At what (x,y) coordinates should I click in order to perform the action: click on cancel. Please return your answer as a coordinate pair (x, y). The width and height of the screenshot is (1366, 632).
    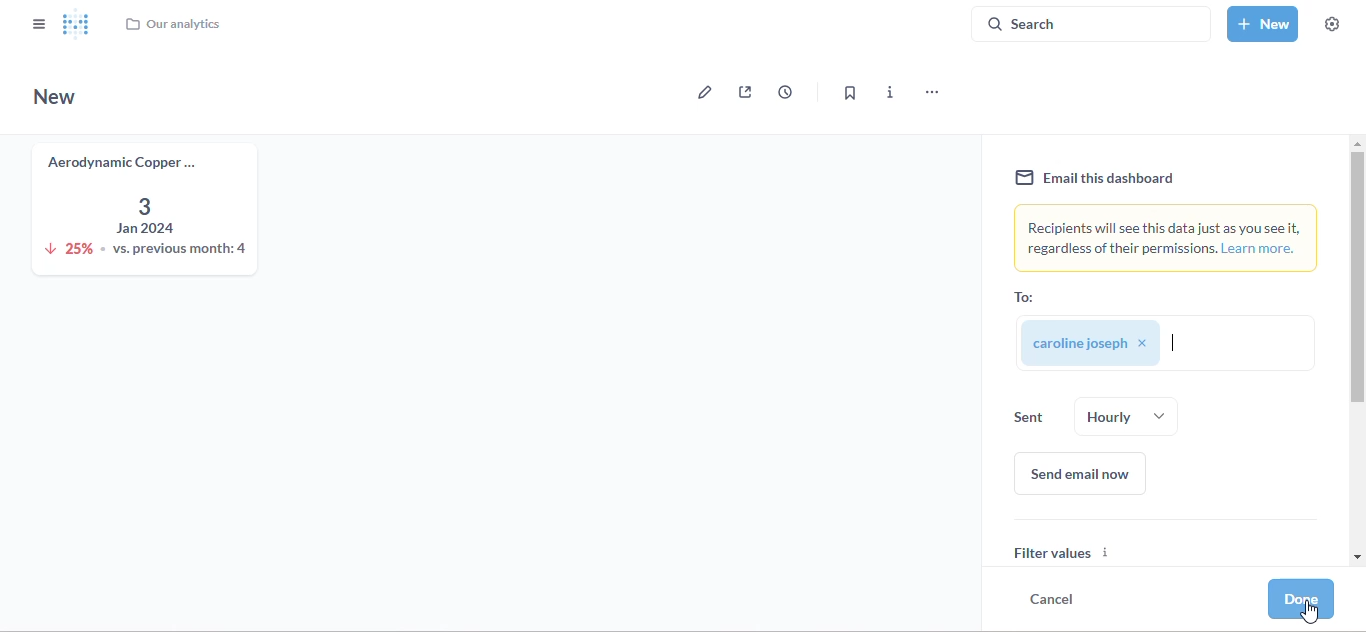
    Looking at the image, I should click on (1052, 598).